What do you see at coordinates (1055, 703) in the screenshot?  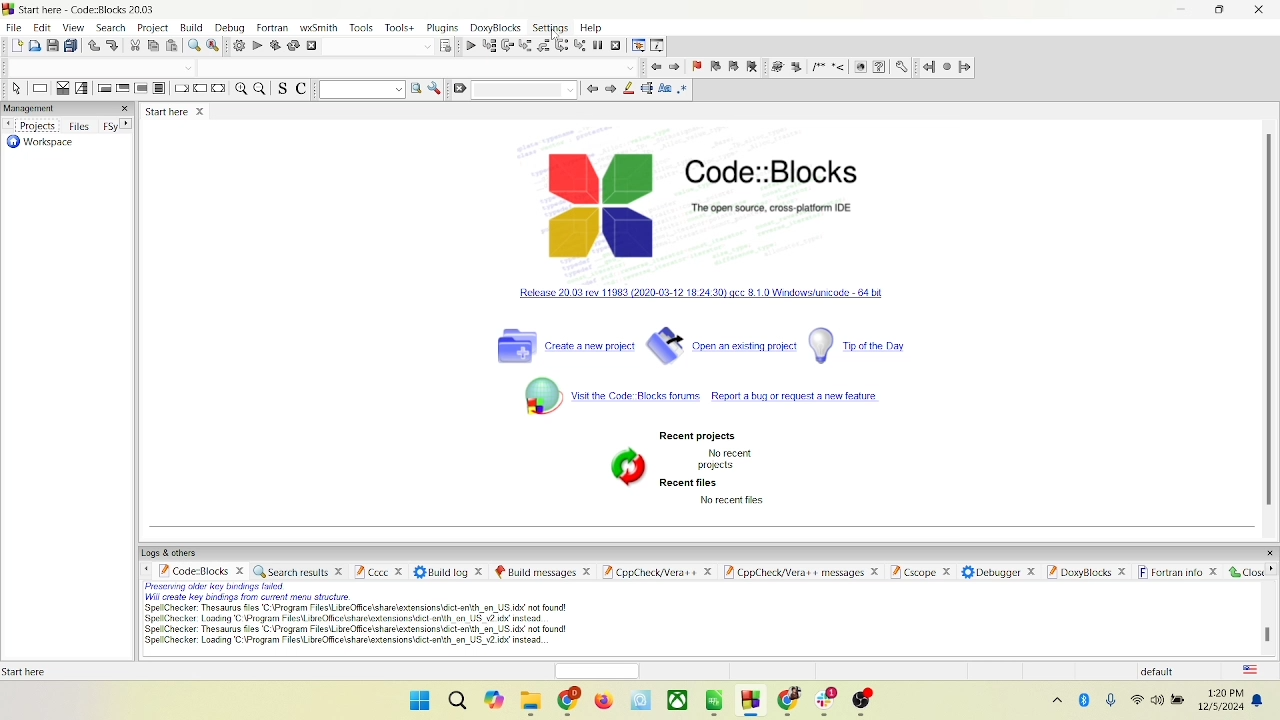 I see `hidden icons` at bounding box center [1055, 703].